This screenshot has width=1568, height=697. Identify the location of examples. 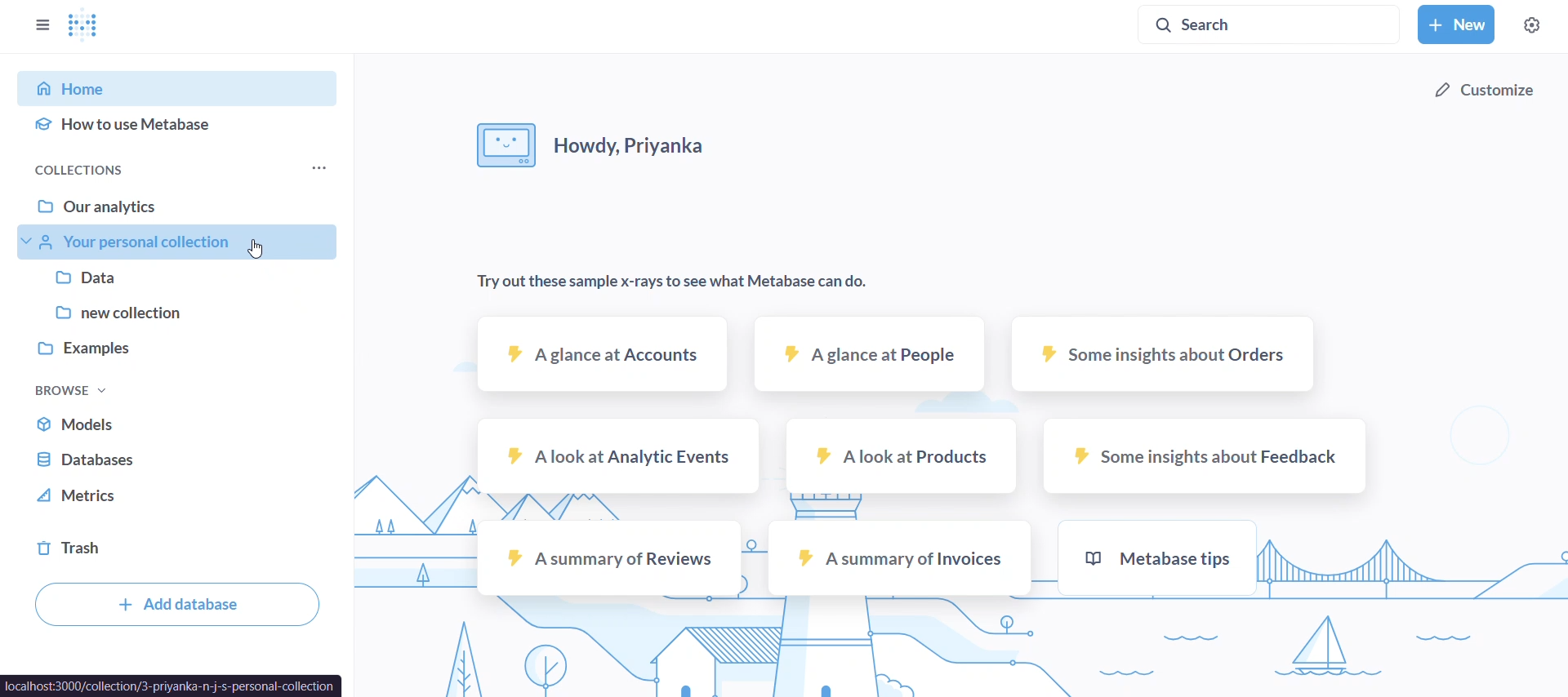
(181, 343).